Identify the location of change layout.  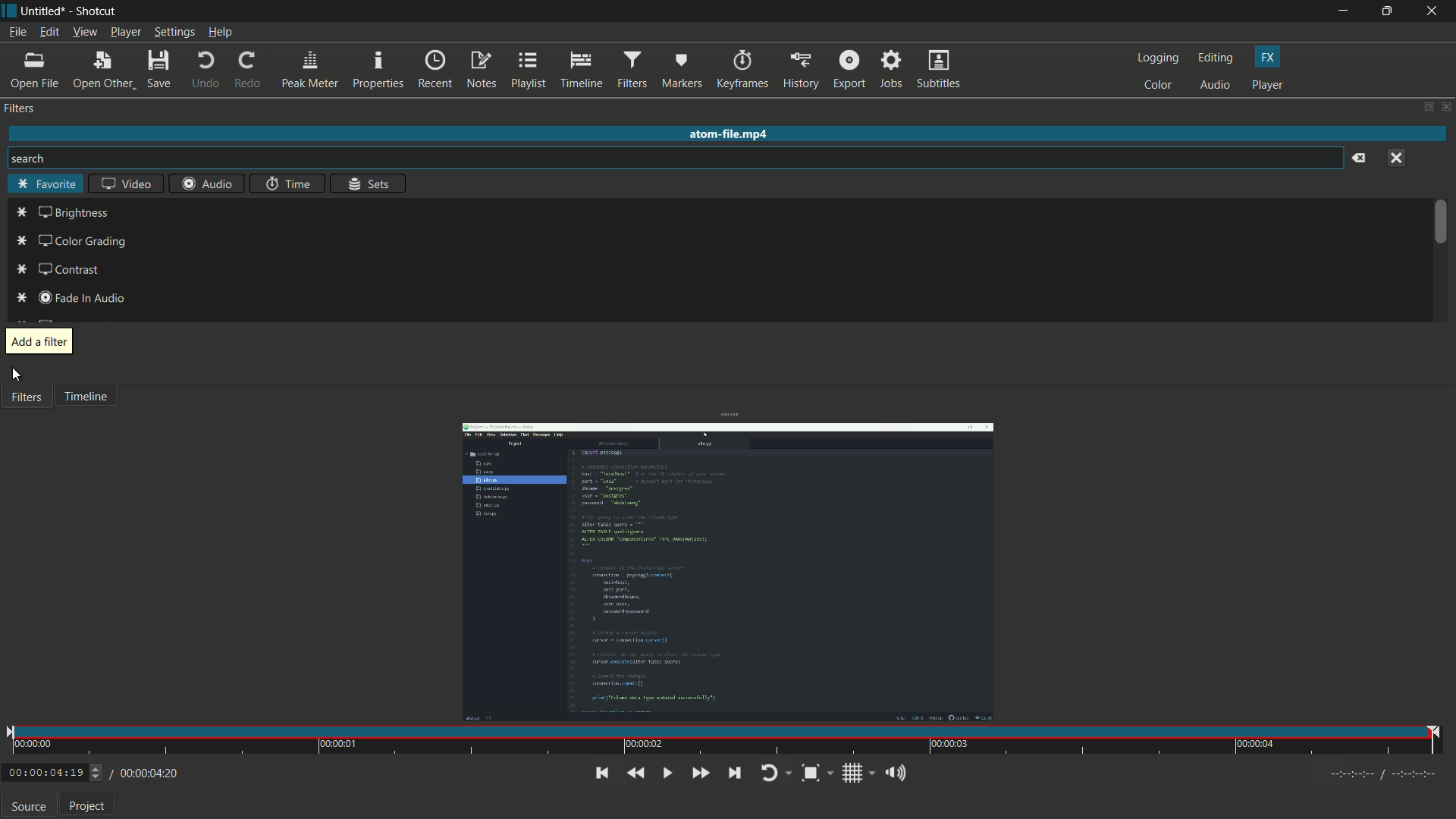
(1423, 106).